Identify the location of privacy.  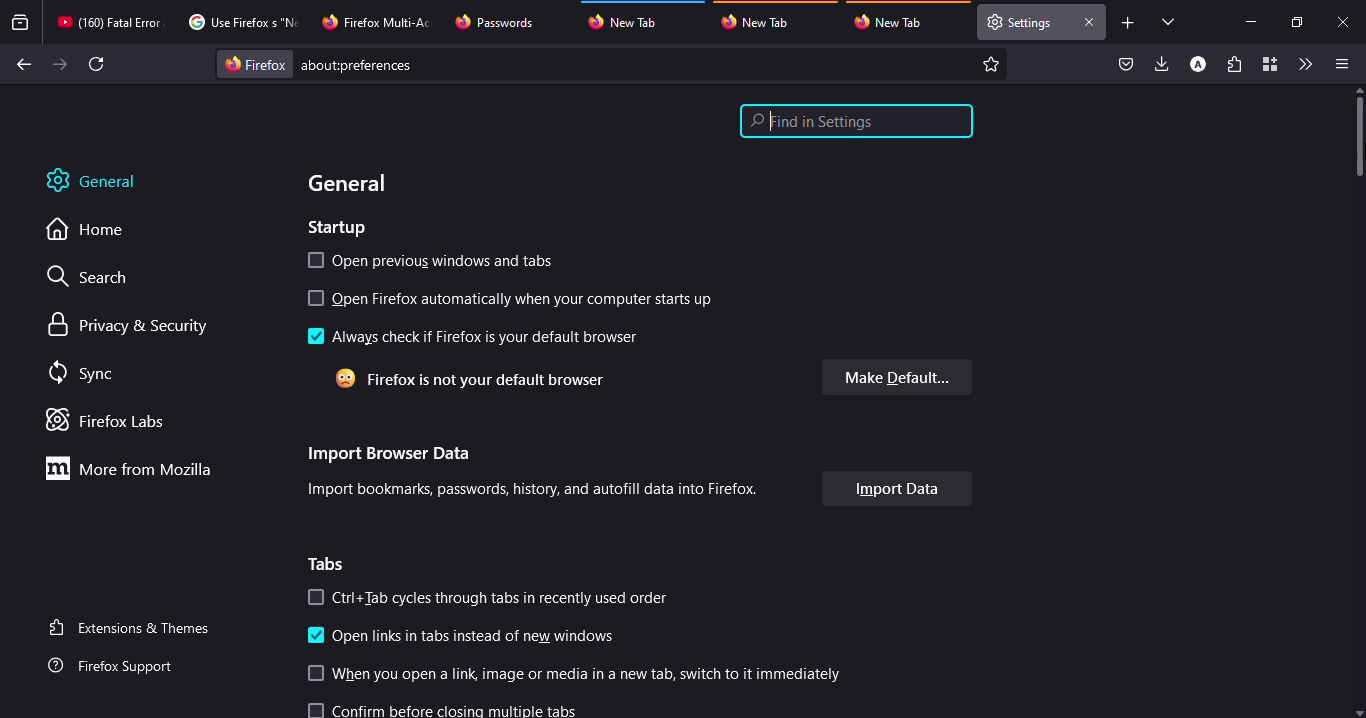
(131, 326).